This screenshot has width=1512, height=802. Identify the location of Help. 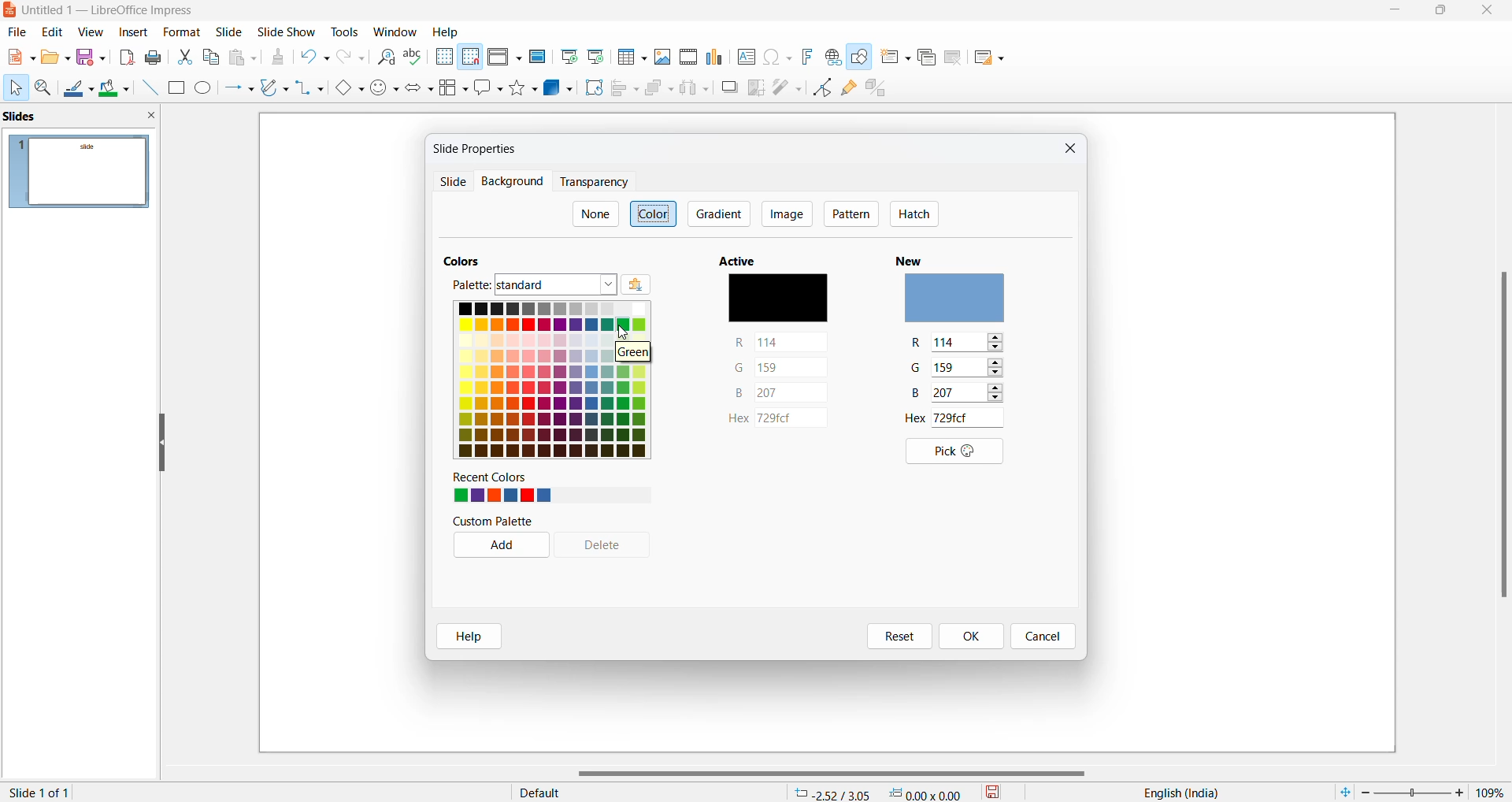
(447, 32).